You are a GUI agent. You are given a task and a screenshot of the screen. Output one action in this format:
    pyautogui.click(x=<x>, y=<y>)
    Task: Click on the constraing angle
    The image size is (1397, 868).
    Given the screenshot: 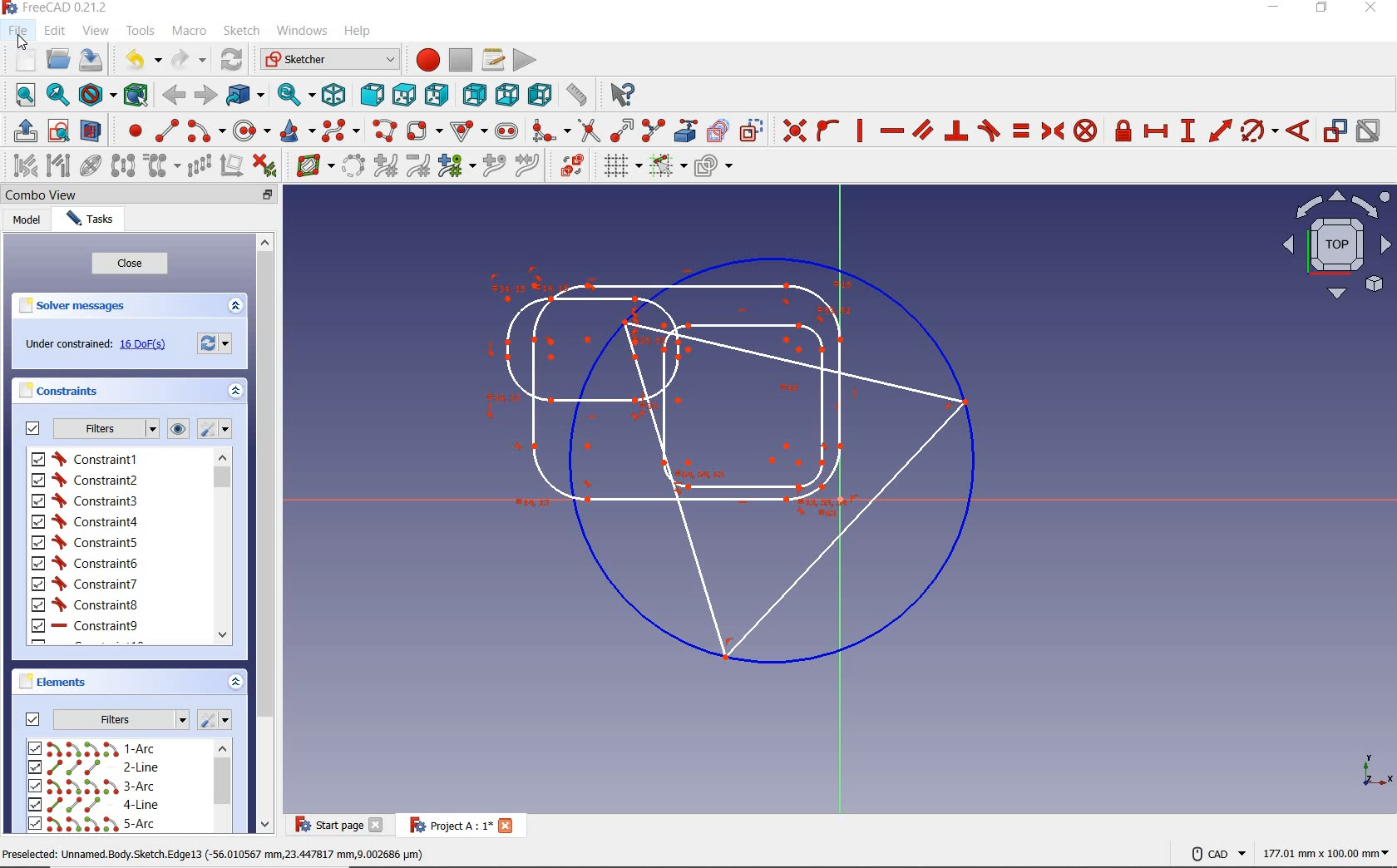 What is the action you would take?
    pyautogui.click(x=1296, y=130)
    